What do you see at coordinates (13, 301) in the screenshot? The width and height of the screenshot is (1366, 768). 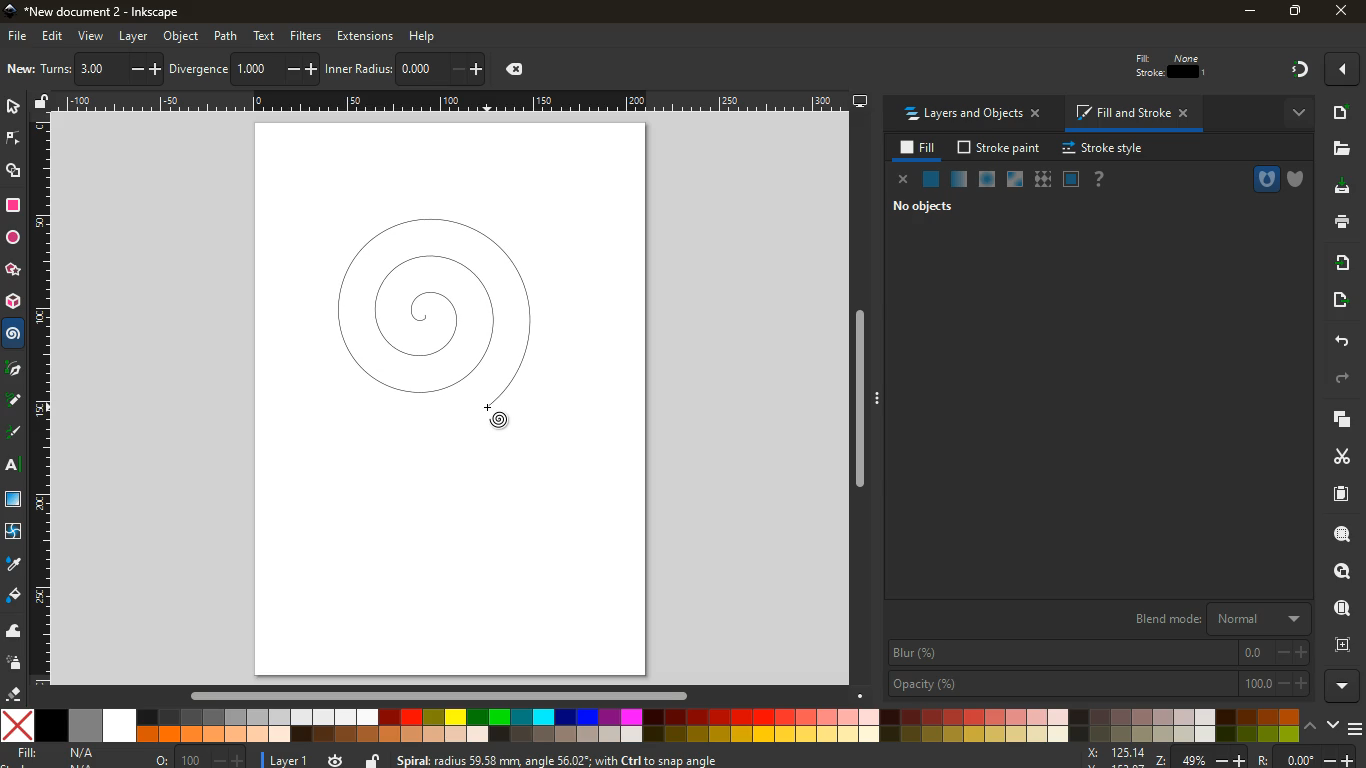 I see `3d tool box` at bounding box center [13, 301].